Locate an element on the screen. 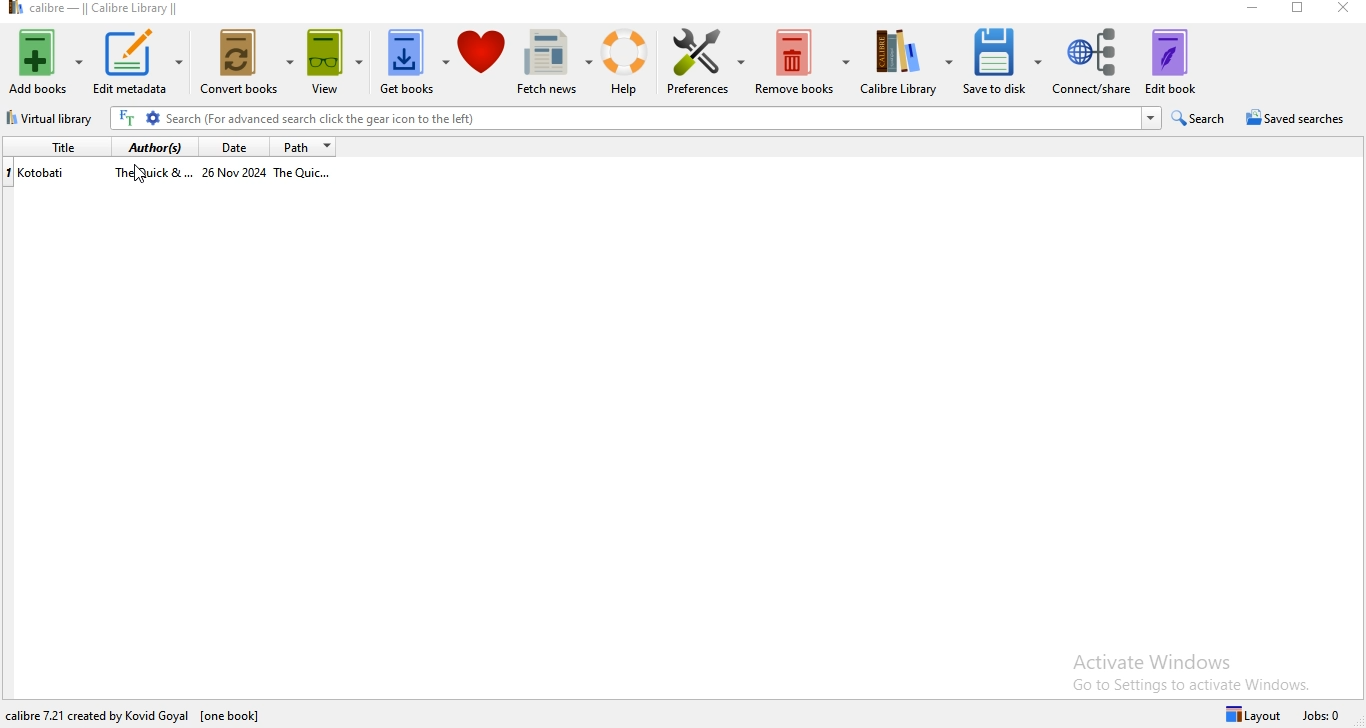 The height and width of the screenshot is (728, 1366). layout is located at coordinates (1250, 713).